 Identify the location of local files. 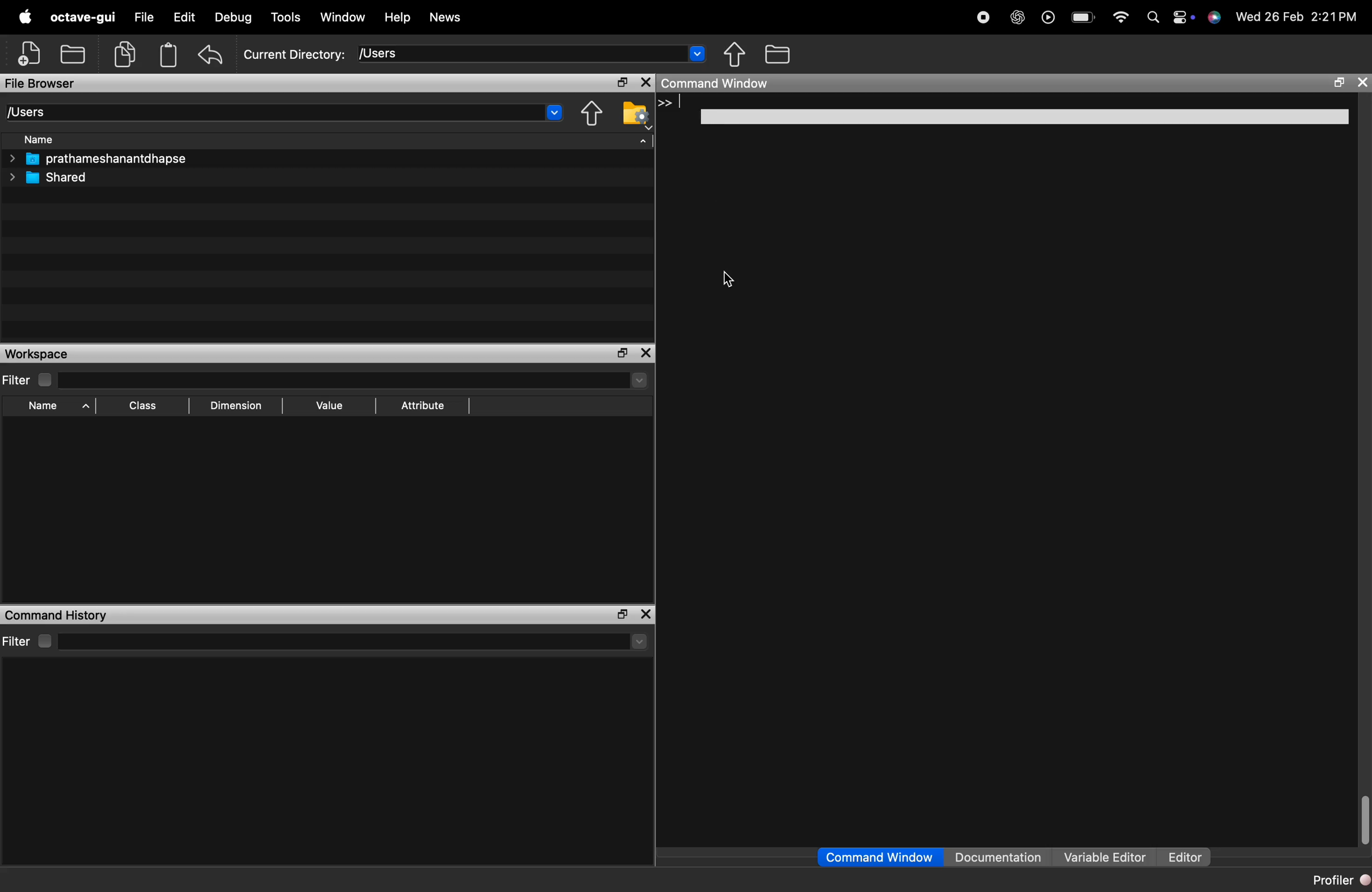
(77, 54).